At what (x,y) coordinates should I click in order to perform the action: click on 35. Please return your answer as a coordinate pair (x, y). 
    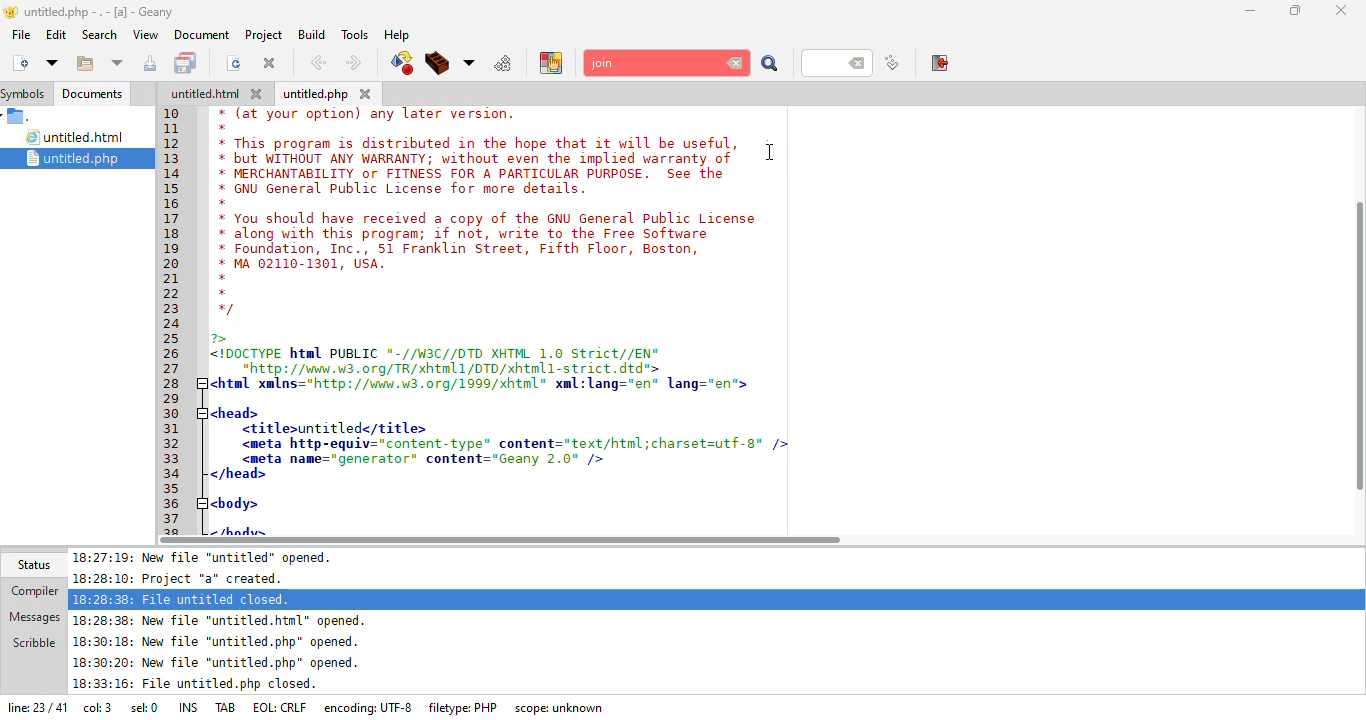
    Looking at the image, I should click on (171, 487).